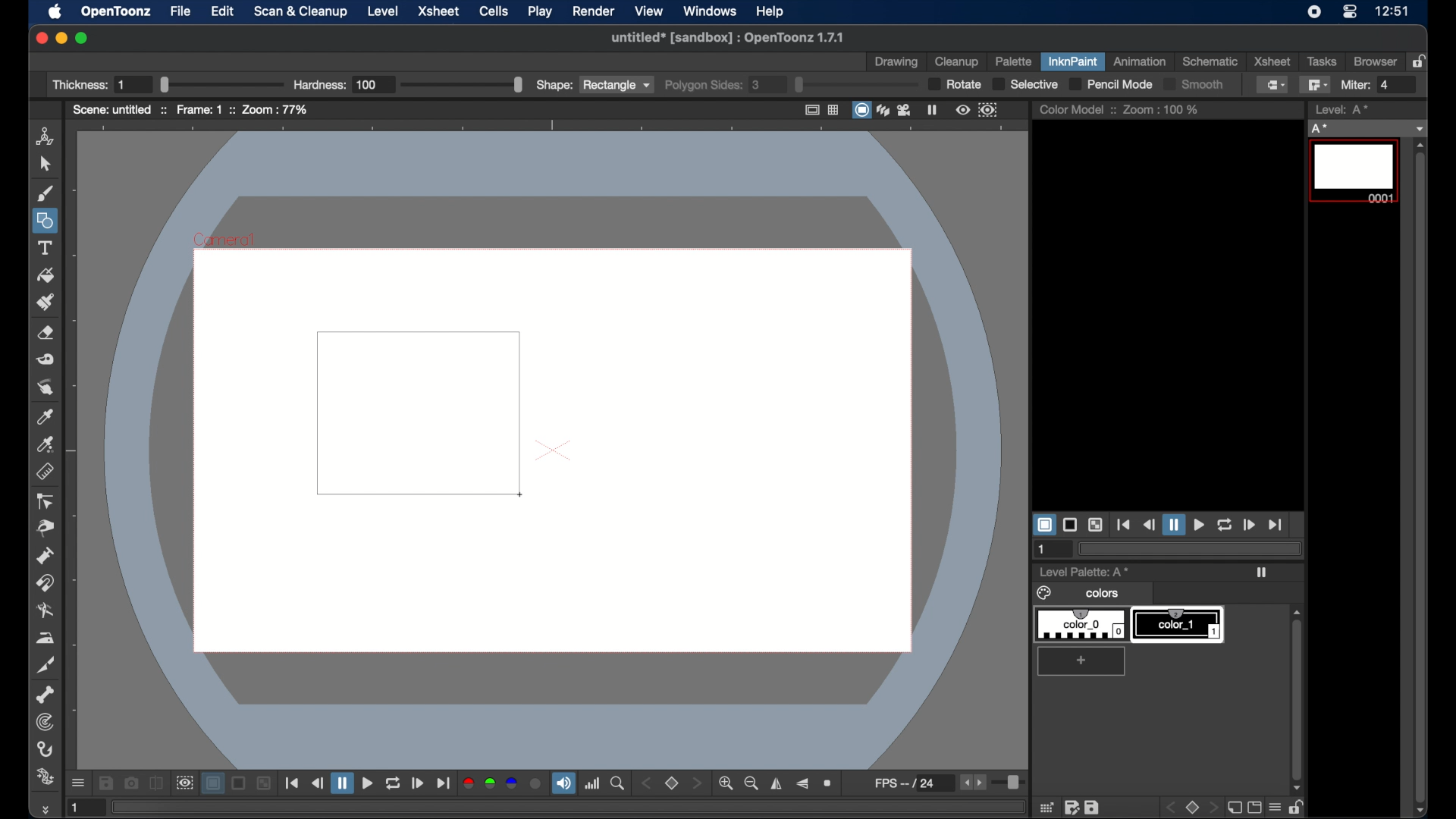 The height and width of the screenshot is (819, 1456). Describe the element at coordinates (1296, 689) in the screenshot. I see `scroll box` at that location.